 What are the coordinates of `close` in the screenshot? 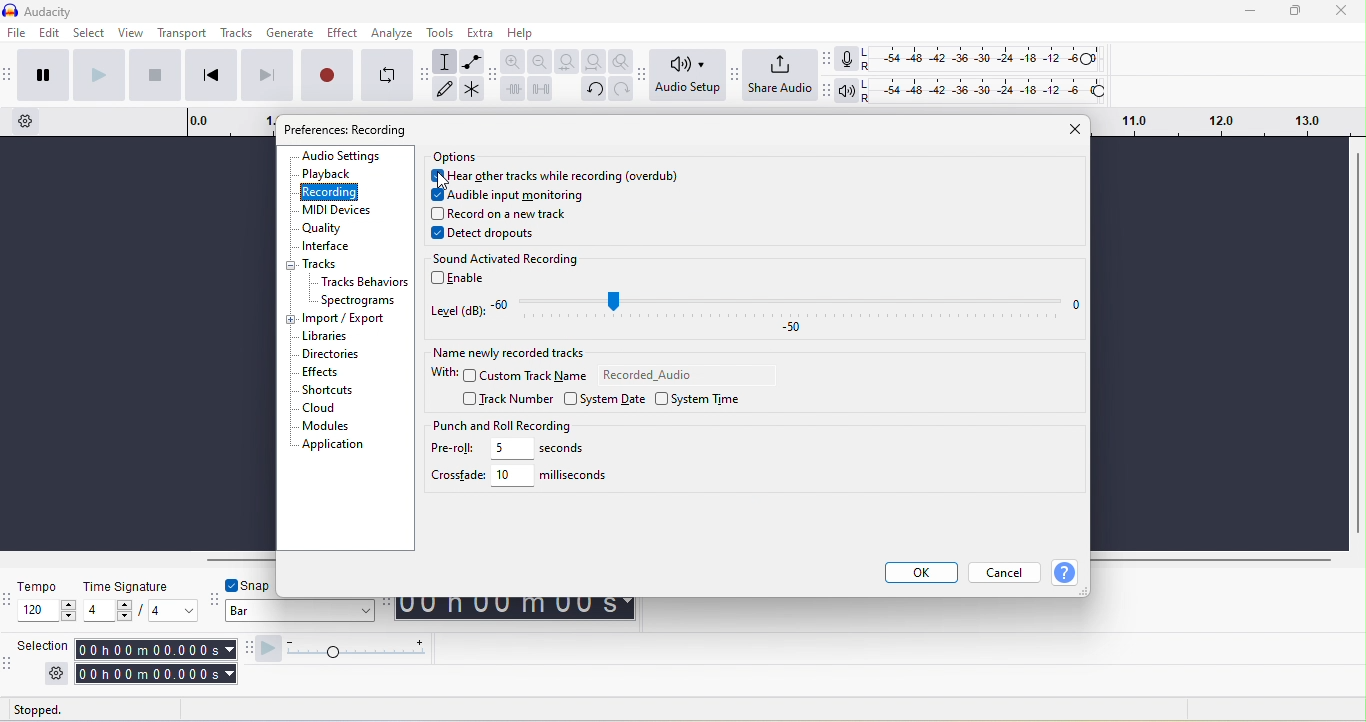 It's located at (1342, 12).